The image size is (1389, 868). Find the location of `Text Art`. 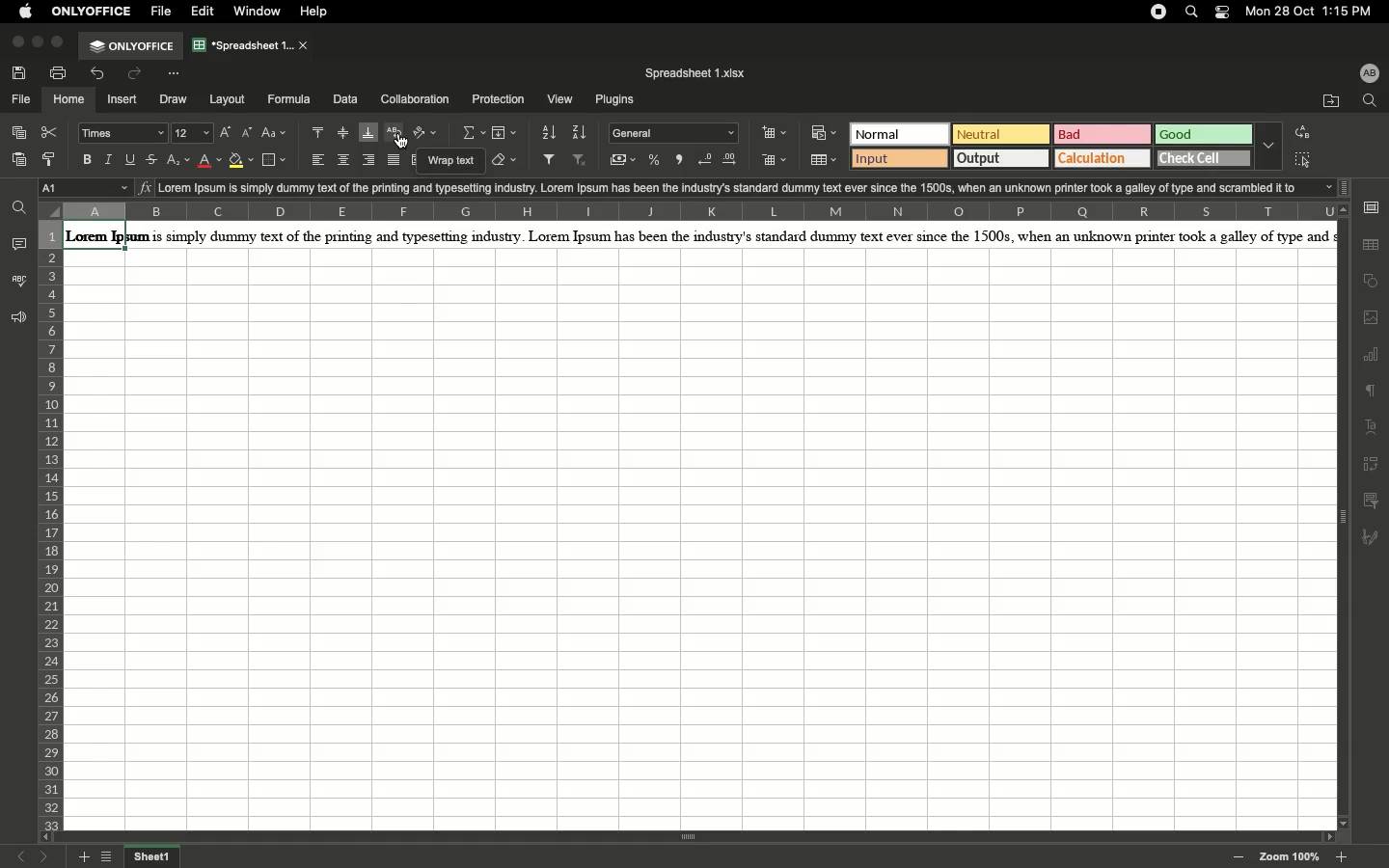

Text Art is located at coordinates (1371, 428).